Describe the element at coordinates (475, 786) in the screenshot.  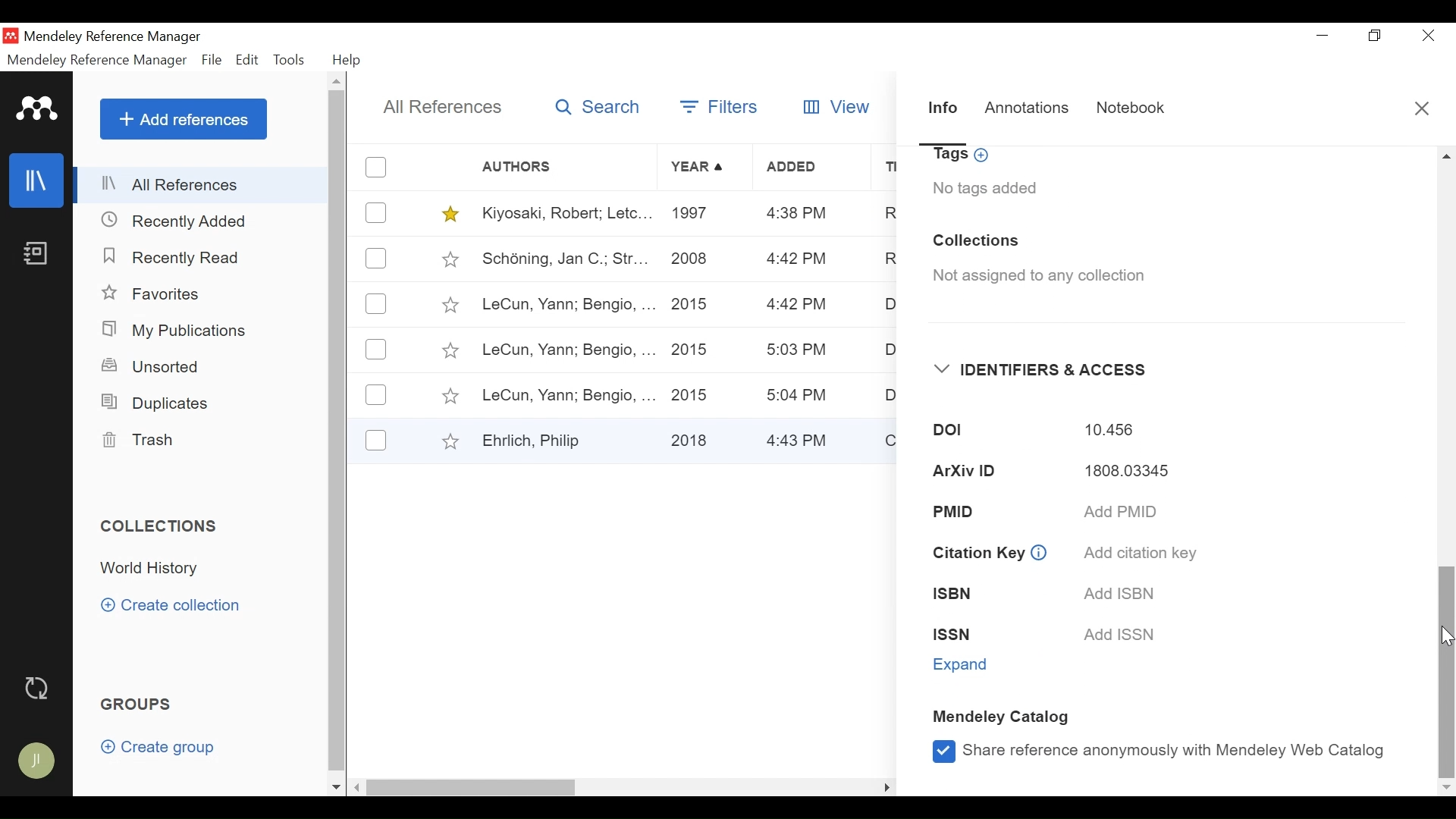
I see `horizontal scroll bar` at that location.